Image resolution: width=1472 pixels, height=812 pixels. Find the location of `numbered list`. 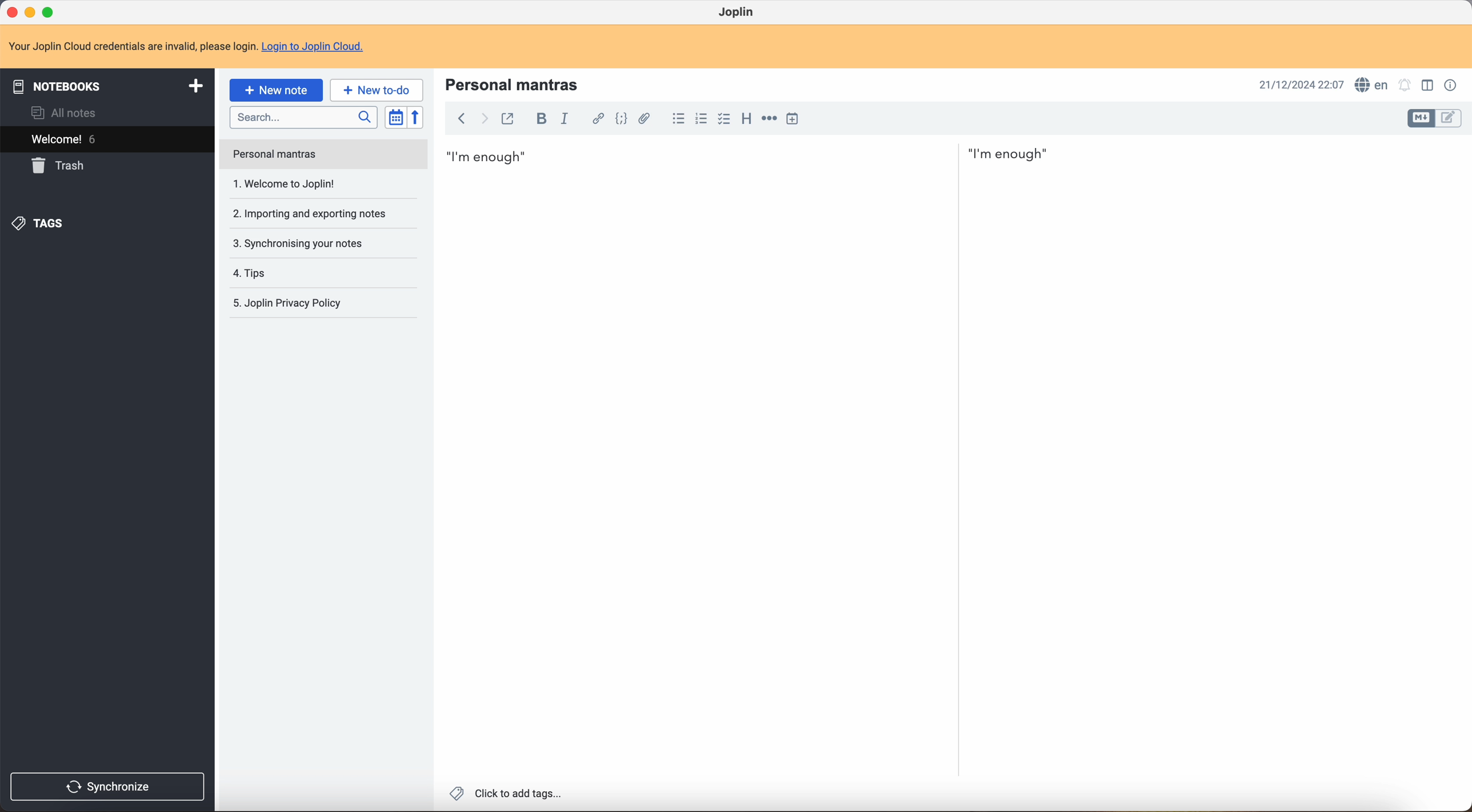

numbered list is located at coordinates (702, 118).